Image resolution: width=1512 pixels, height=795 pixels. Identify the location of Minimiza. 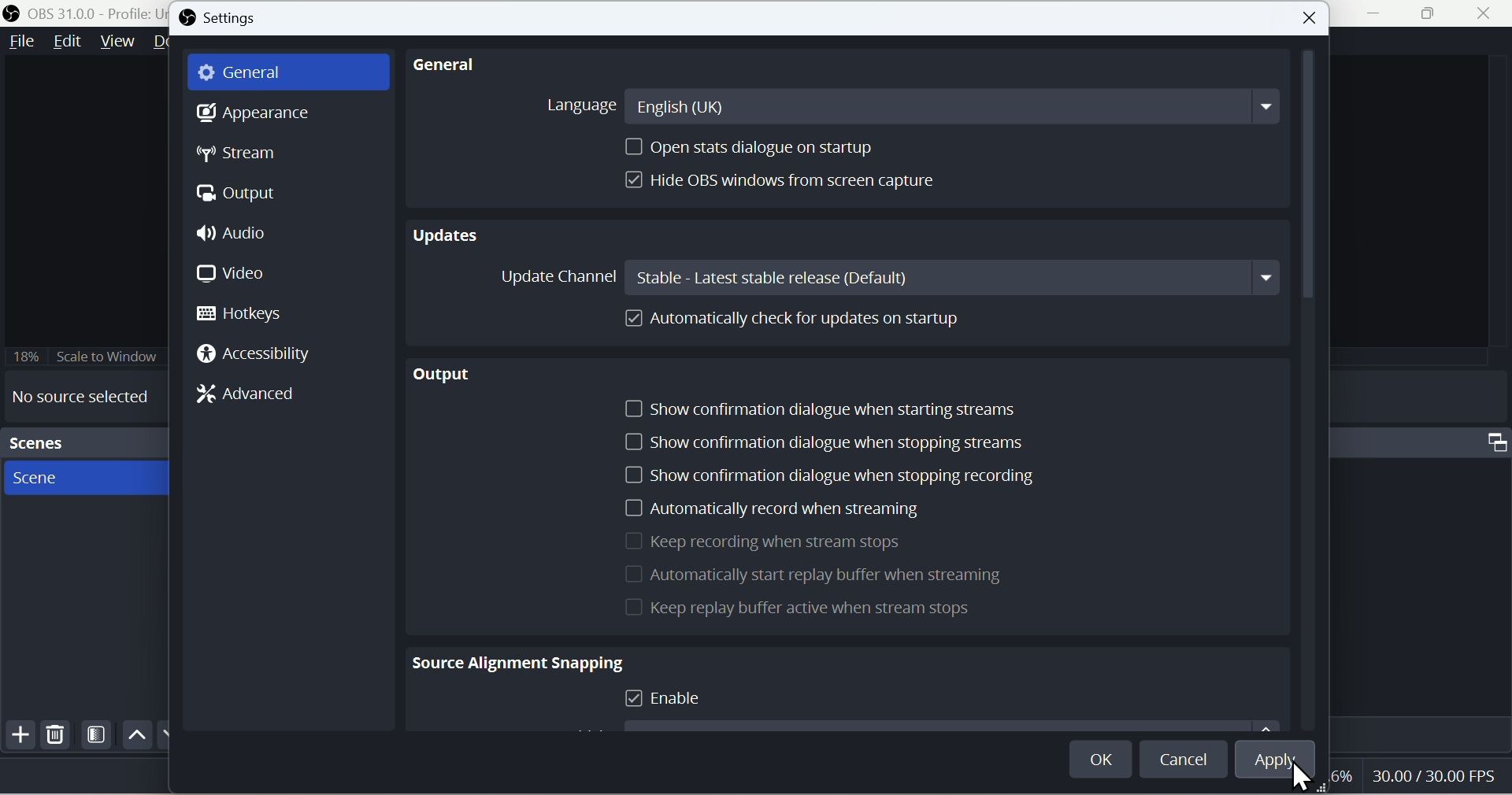
(1371, 14).